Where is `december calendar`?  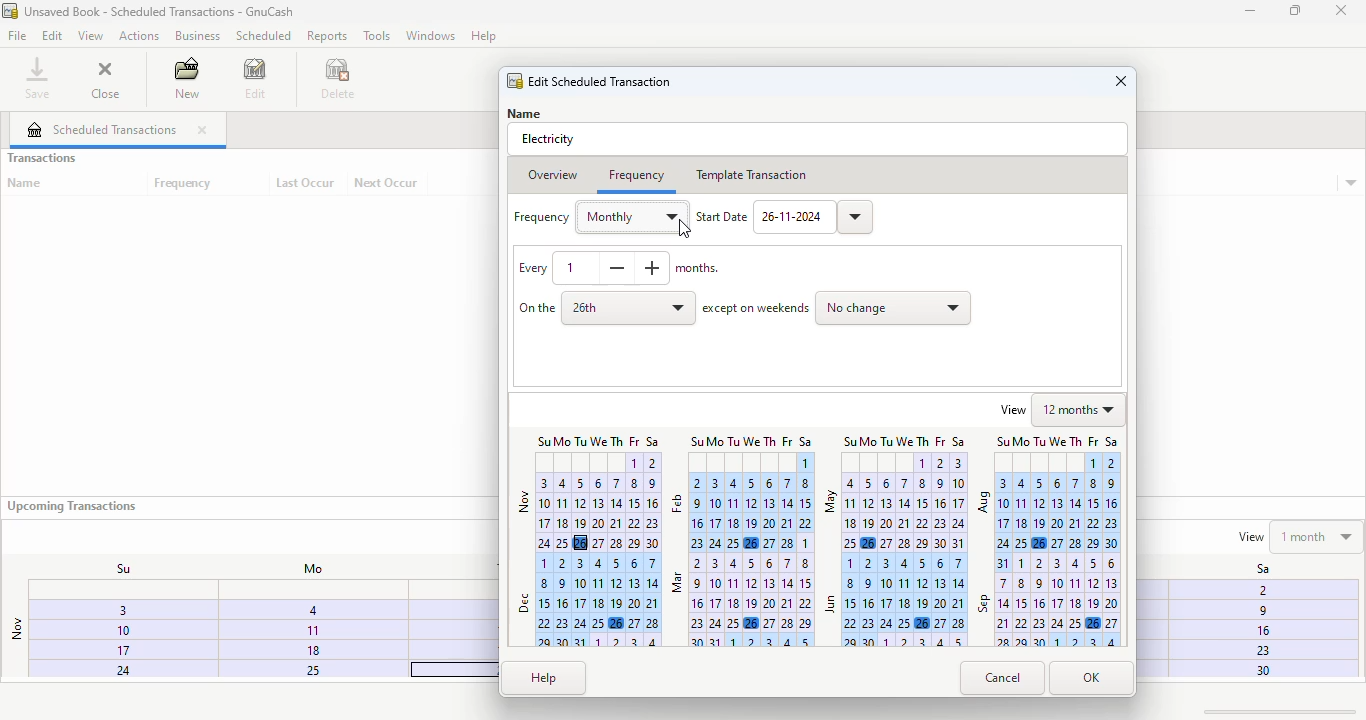 december calendar is located at coordinates (587, 601).